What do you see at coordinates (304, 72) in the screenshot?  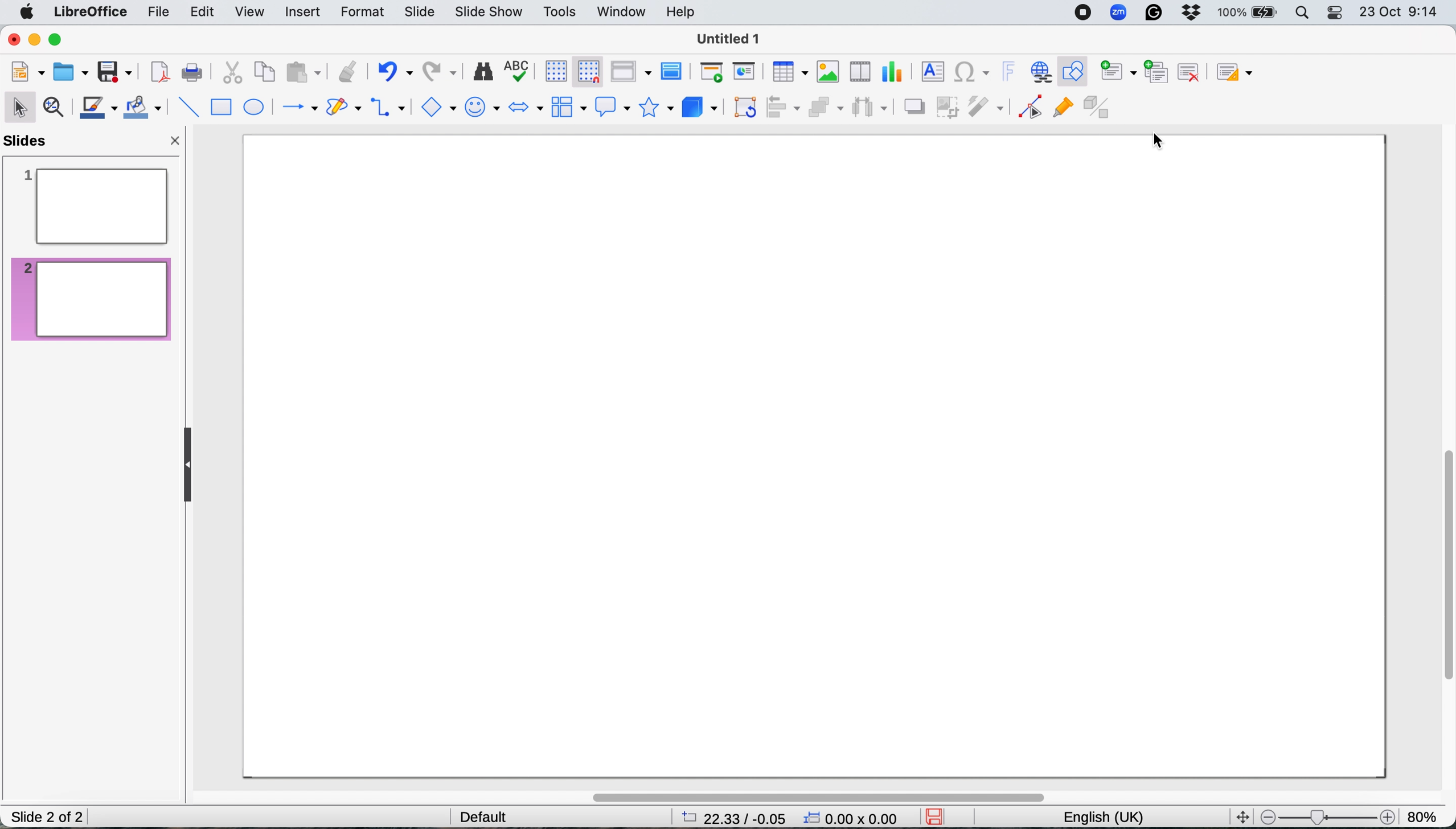 I see `paste` at bounding box center [304, 72].